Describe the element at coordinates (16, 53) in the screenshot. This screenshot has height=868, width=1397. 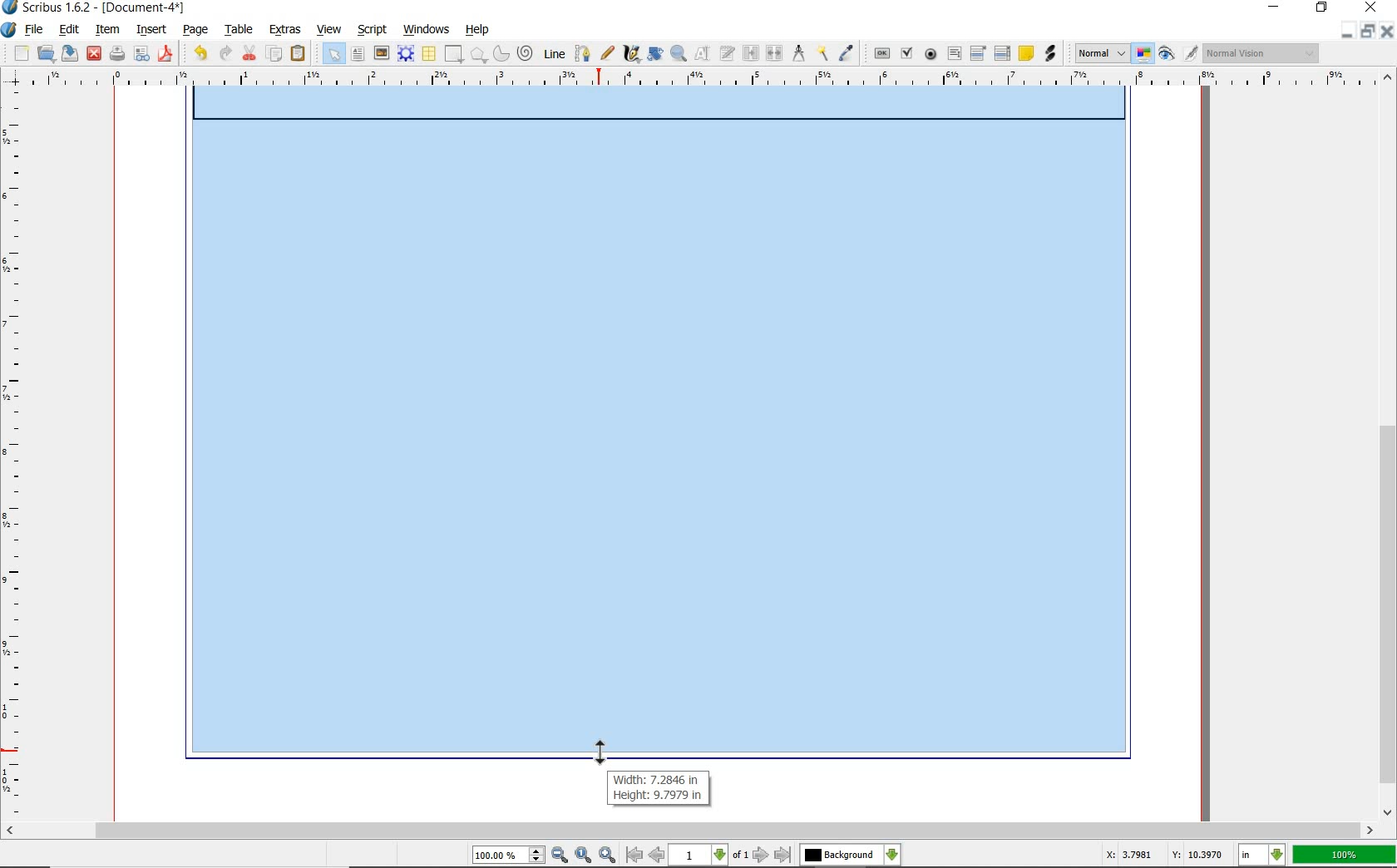
I see `new` at that location.